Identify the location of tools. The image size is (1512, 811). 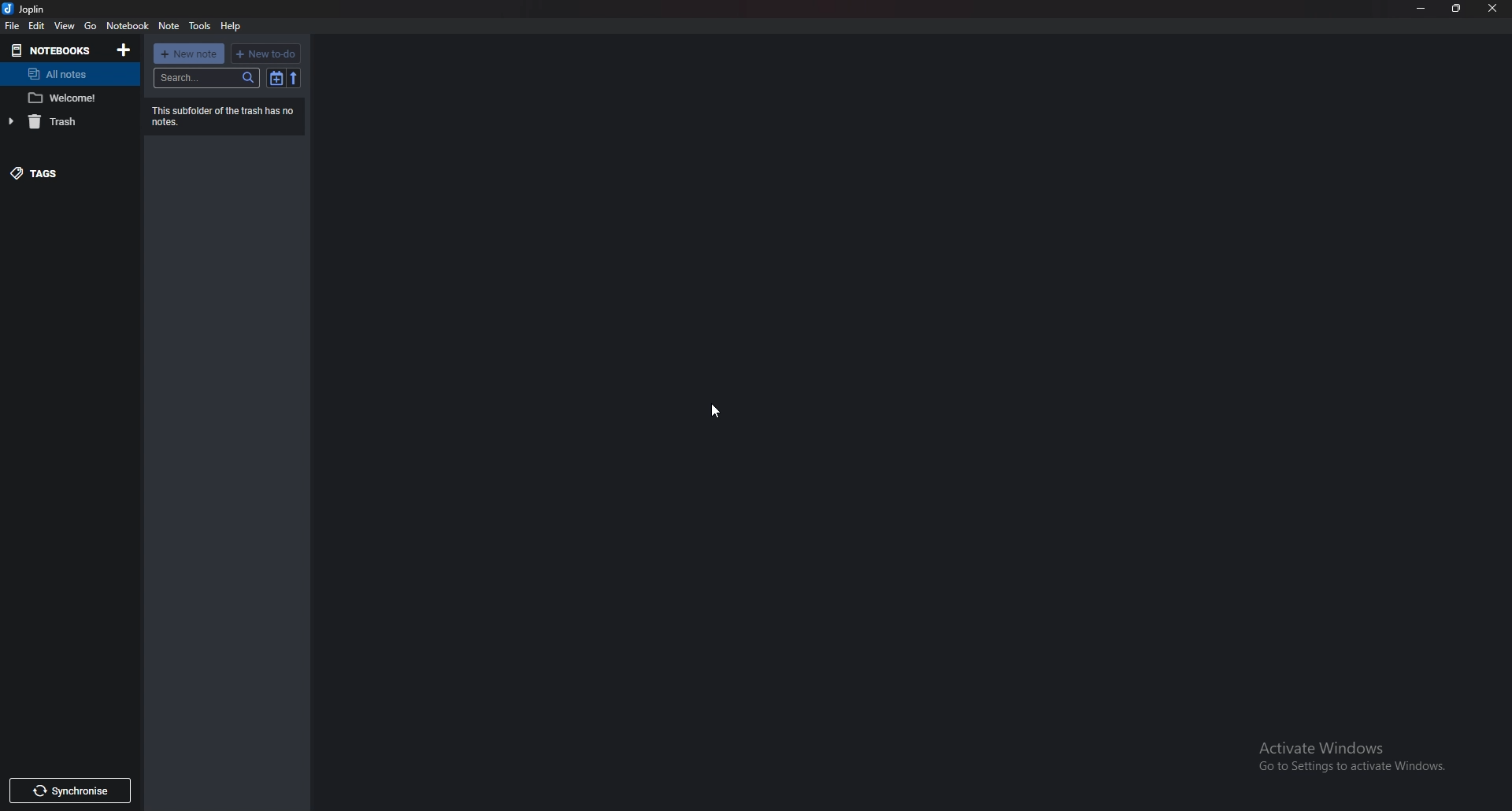
(199, 26).